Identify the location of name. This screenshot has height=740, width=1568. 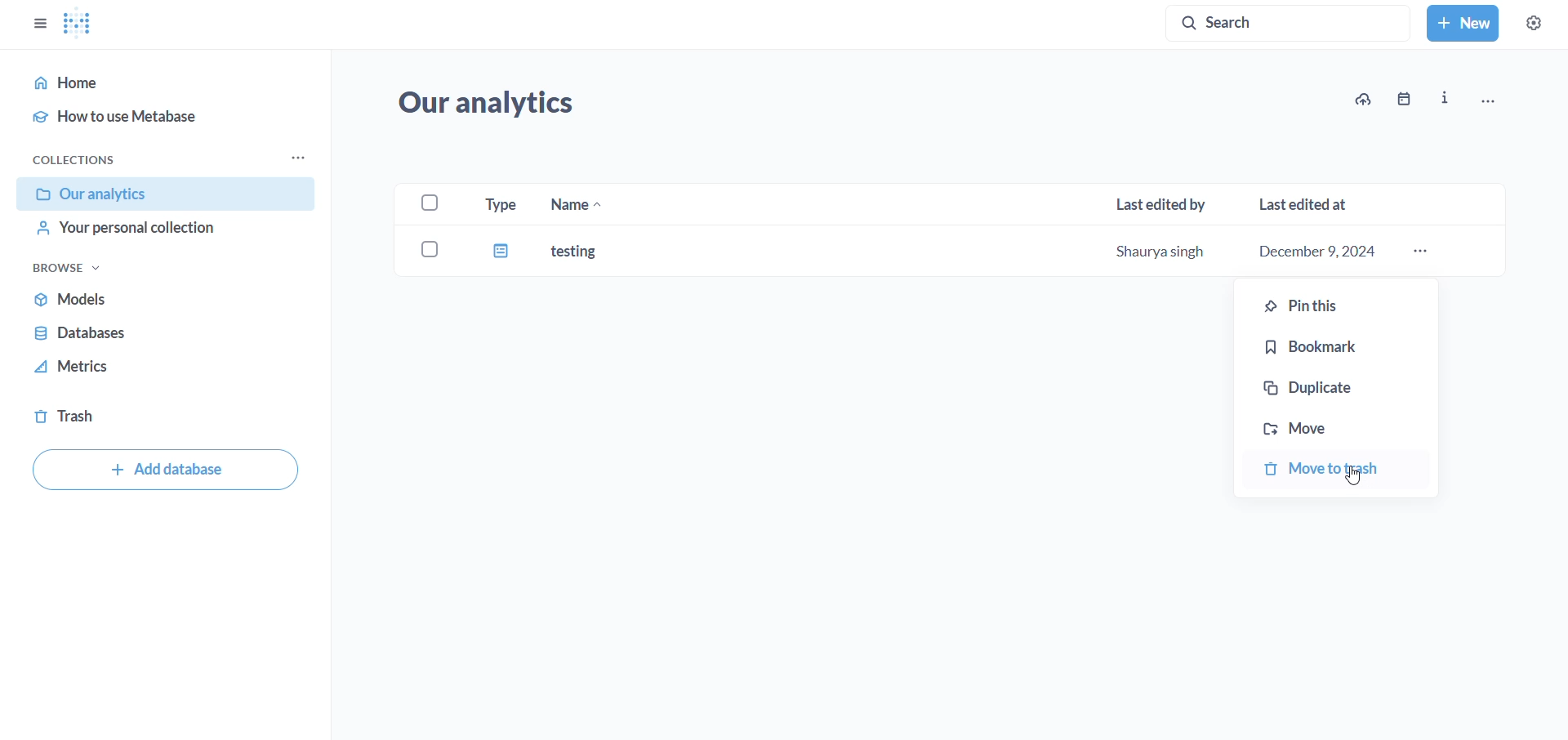
(573, 203).